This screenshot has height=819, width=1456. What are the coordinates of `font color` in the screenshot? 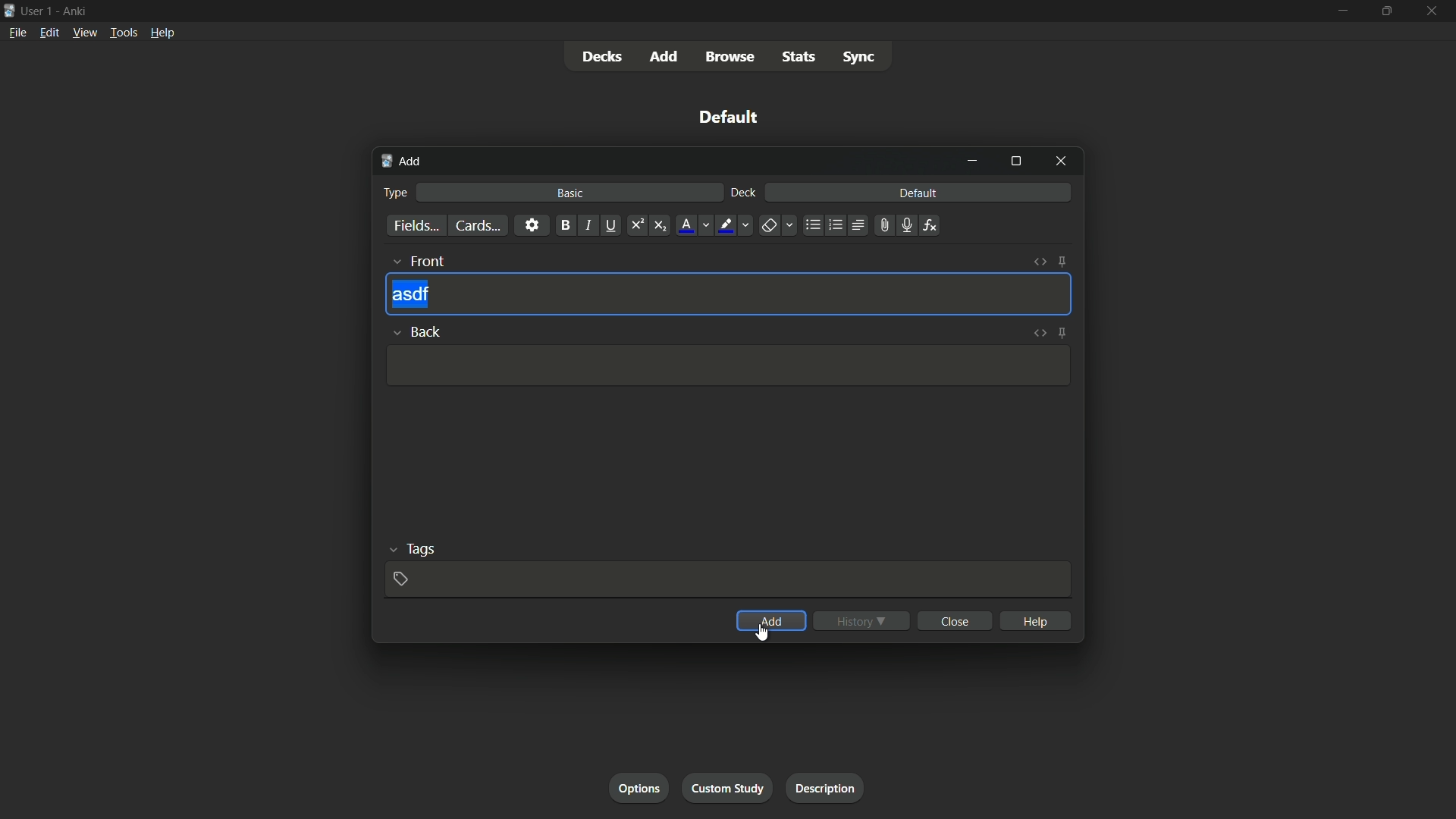 It's located at (693, 225).